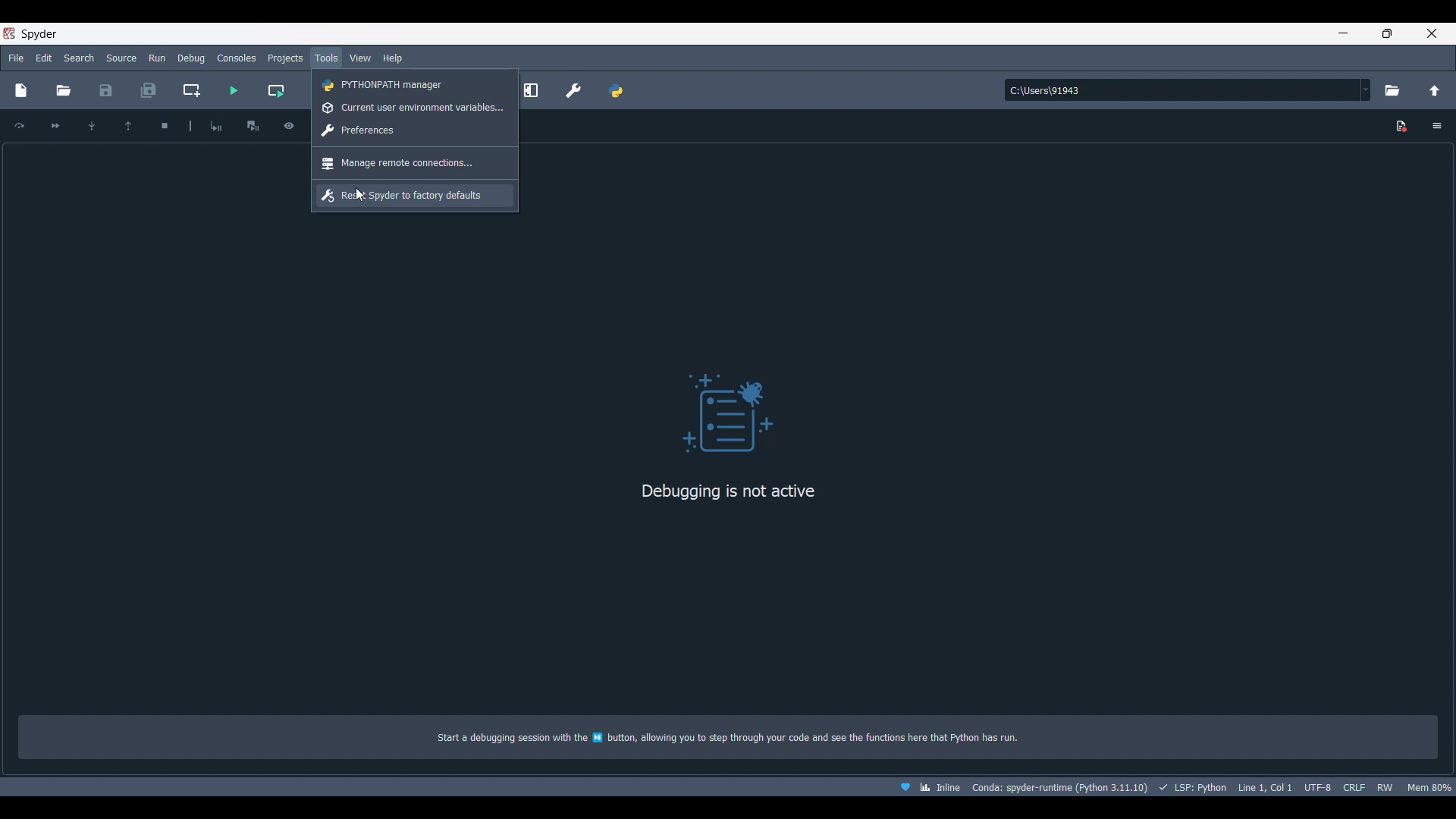 The height and width of the screenshot is (819, 1456). Describe the element at coordinates (741, 739) in the screenshot. I see `text` at that location.